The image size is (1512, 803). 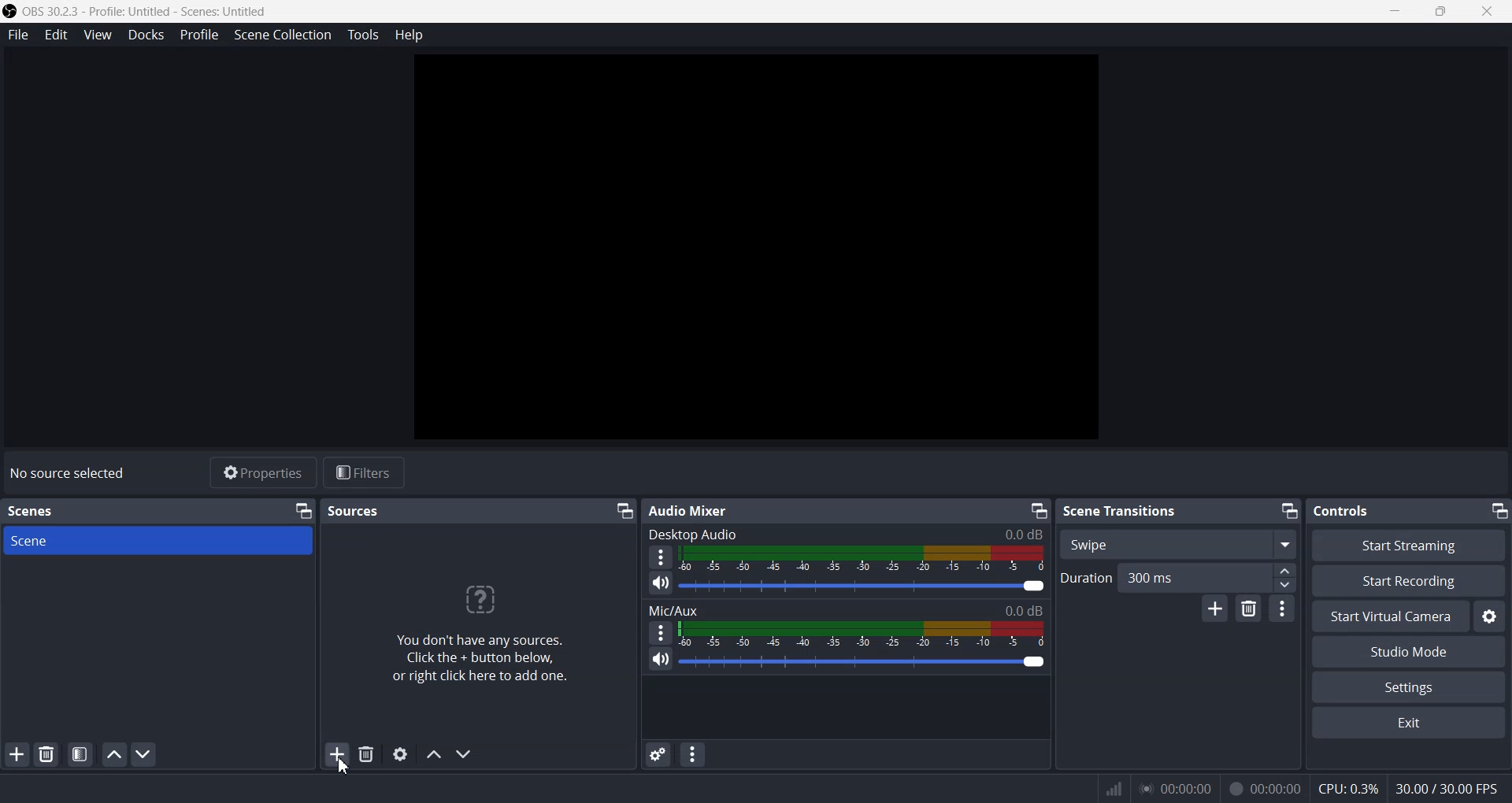 I want to click on Remove configurable Transition, so click(x=1249, y=609).